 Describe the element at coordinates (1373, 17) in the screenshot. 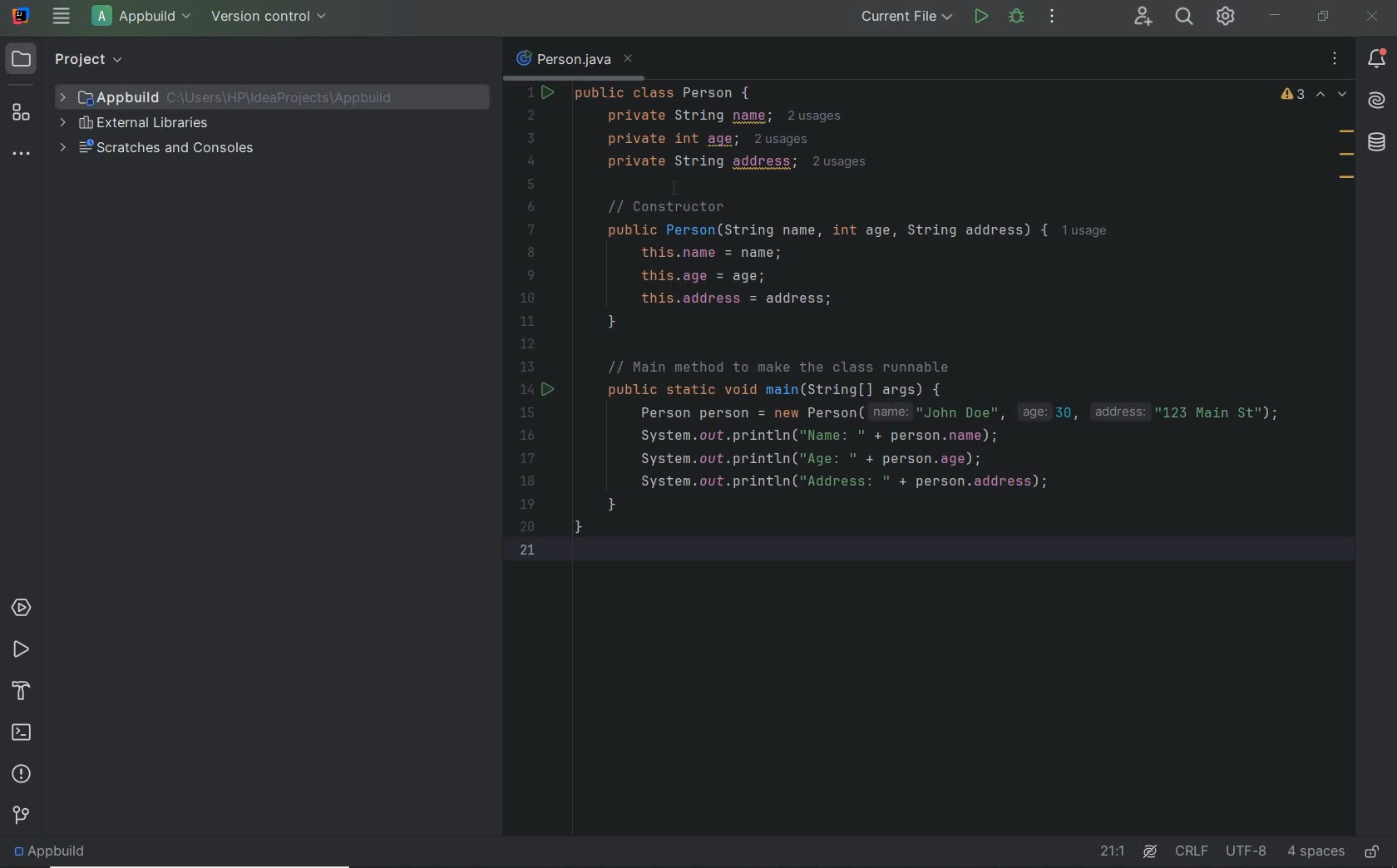

I see `close` at that location.